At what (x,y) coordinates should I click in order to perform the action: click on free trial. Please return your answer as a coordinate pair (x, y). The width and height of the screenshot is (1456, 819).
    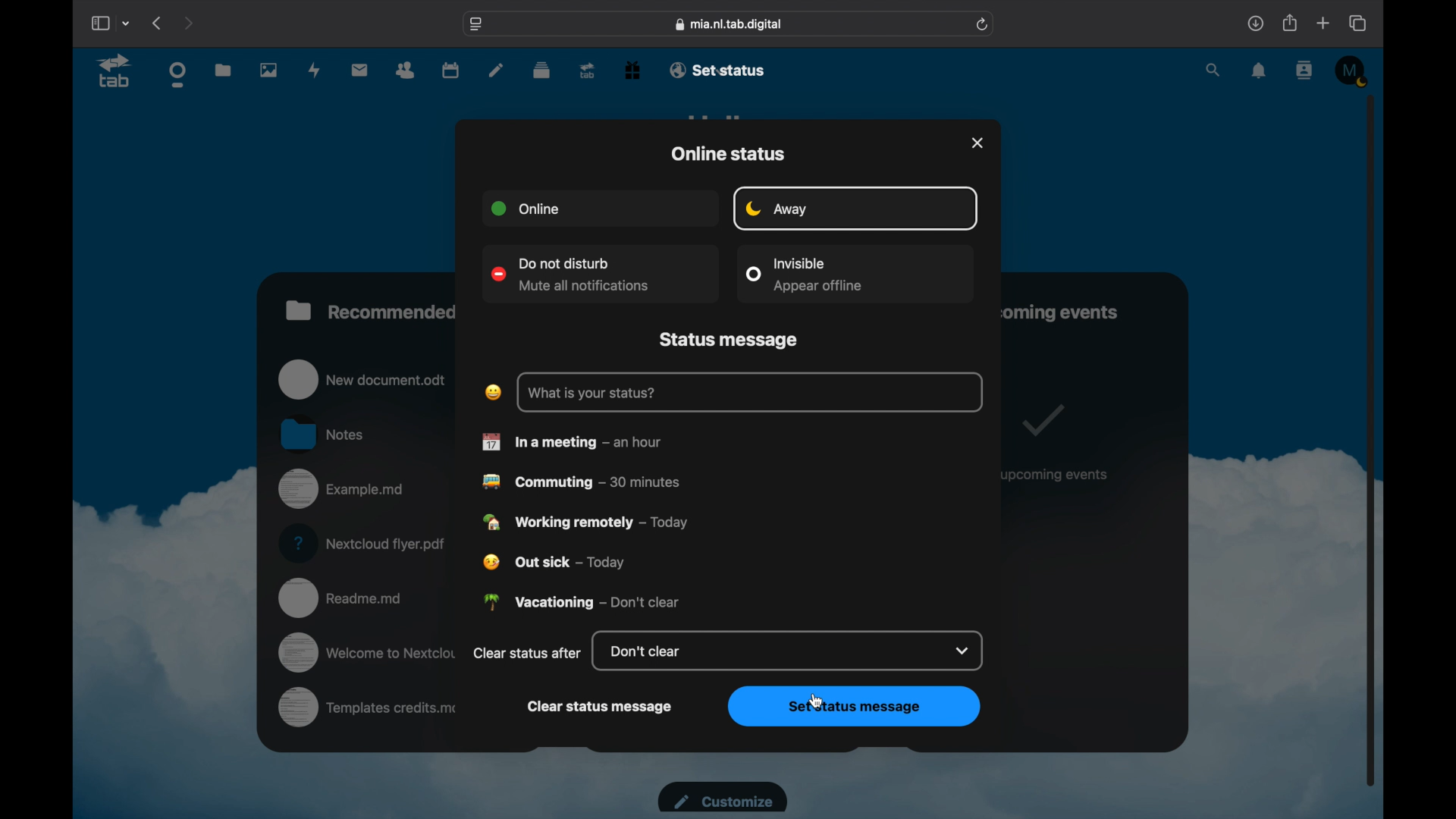
    Looking at the image, I should click on (632, 69).